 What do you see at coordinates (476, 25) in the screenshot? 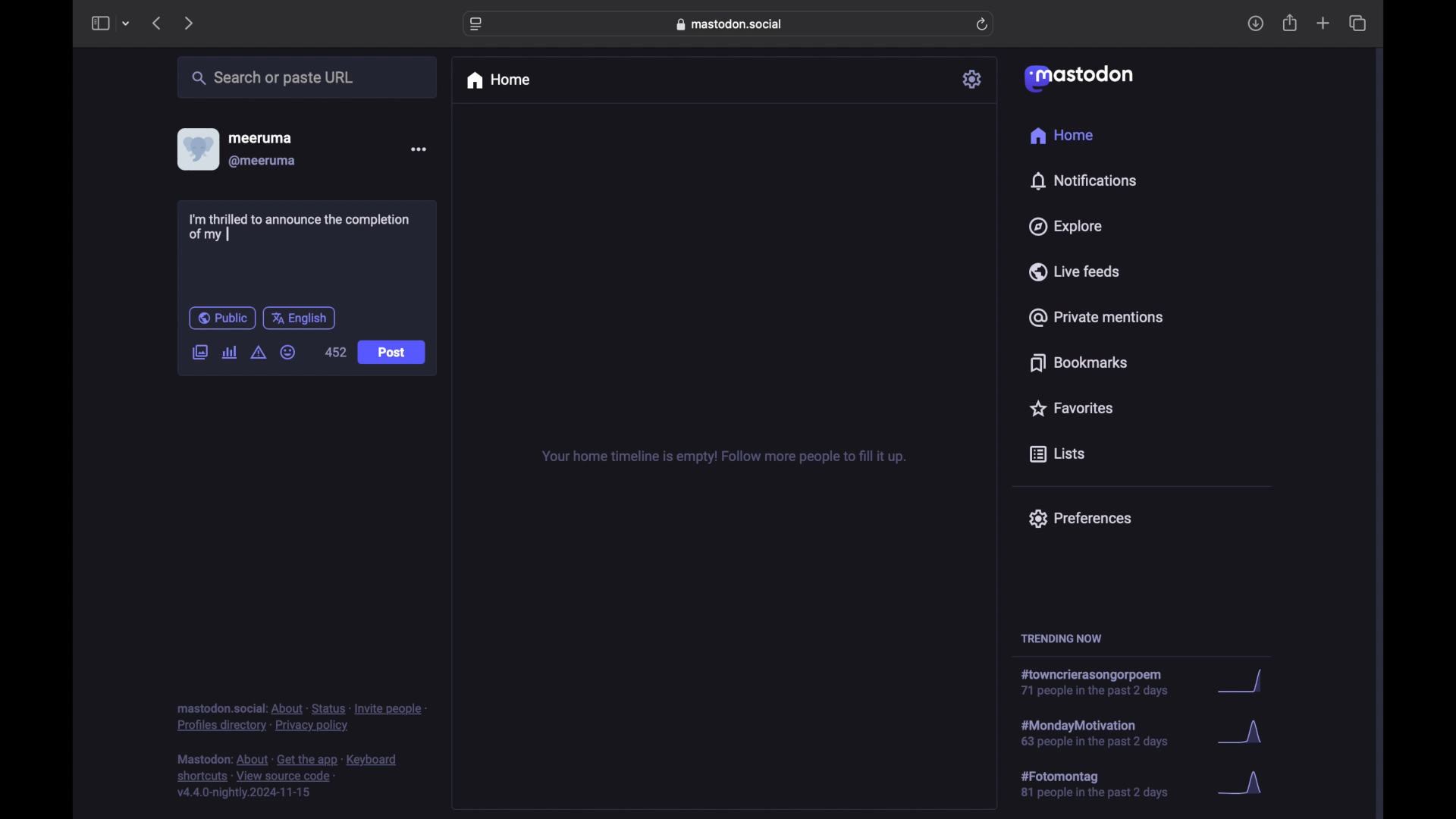
I see `website settings` at bounding box center [476, 25].